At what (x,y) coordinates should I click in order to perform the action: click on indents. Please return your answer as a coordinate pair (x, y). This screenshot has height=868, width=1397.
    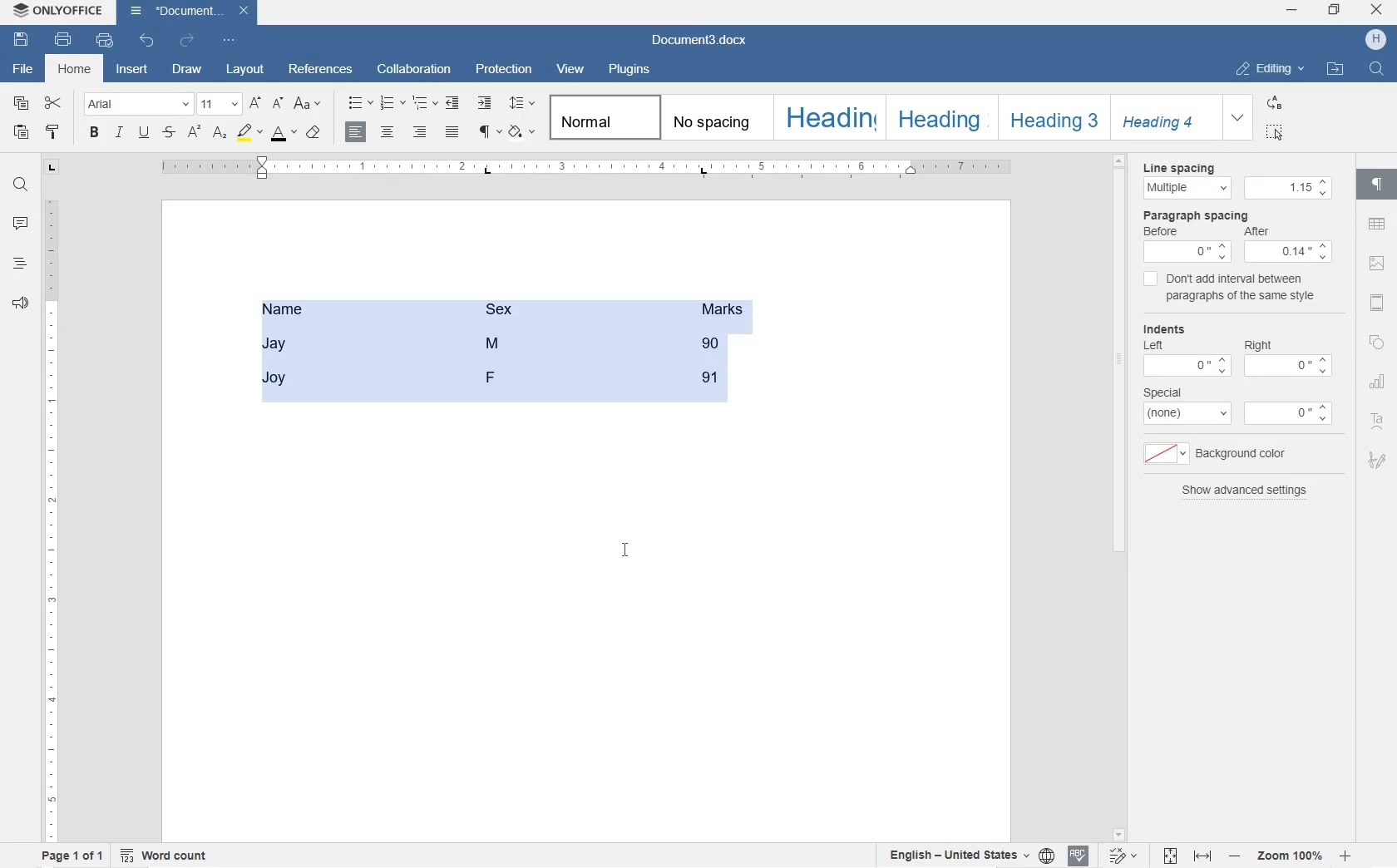
    Looking at the image, I should click on (1163, 330).